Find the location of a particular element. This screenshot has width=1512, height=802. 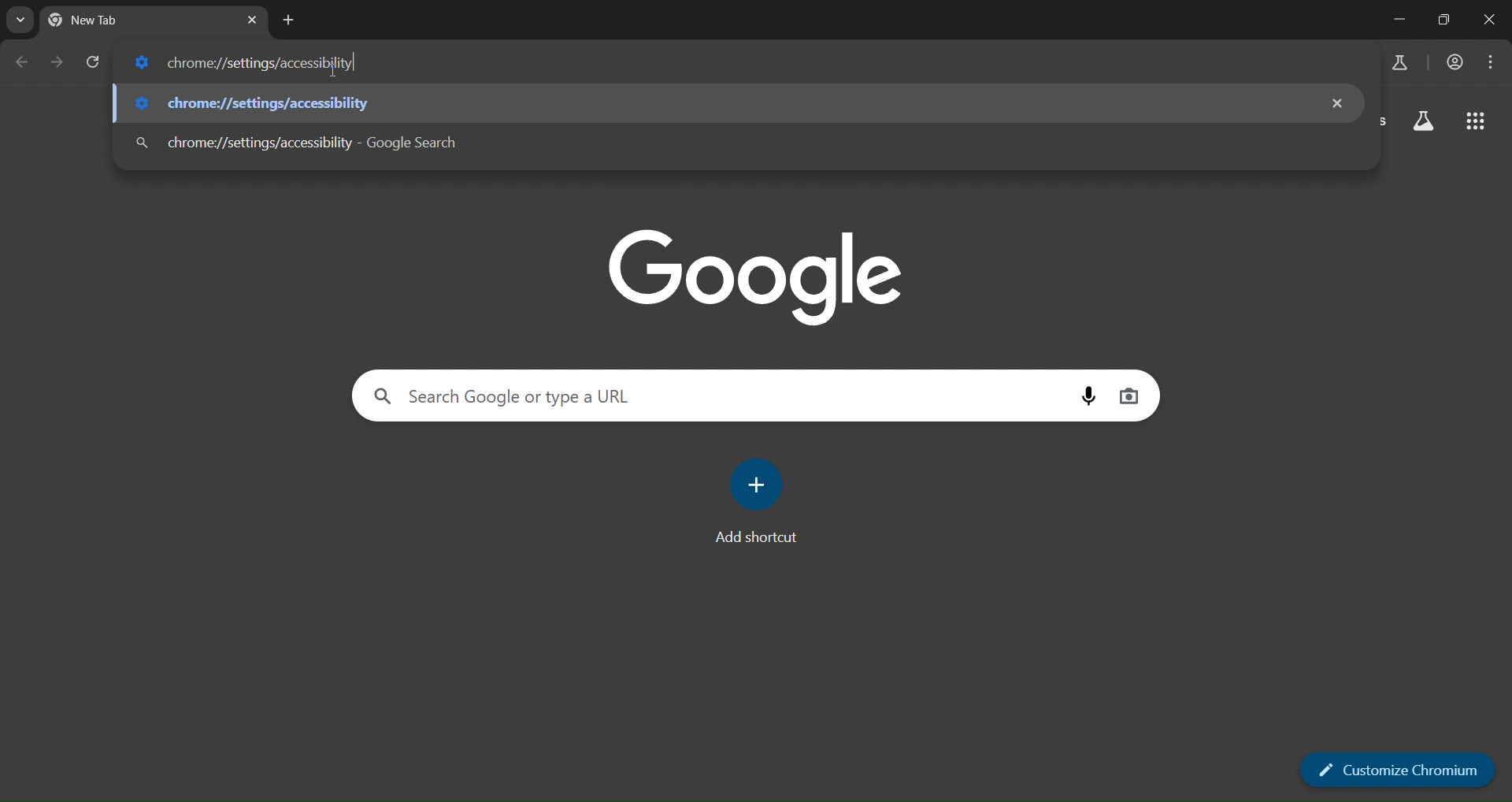

customize chromium is located at coordinates (1395, 770).